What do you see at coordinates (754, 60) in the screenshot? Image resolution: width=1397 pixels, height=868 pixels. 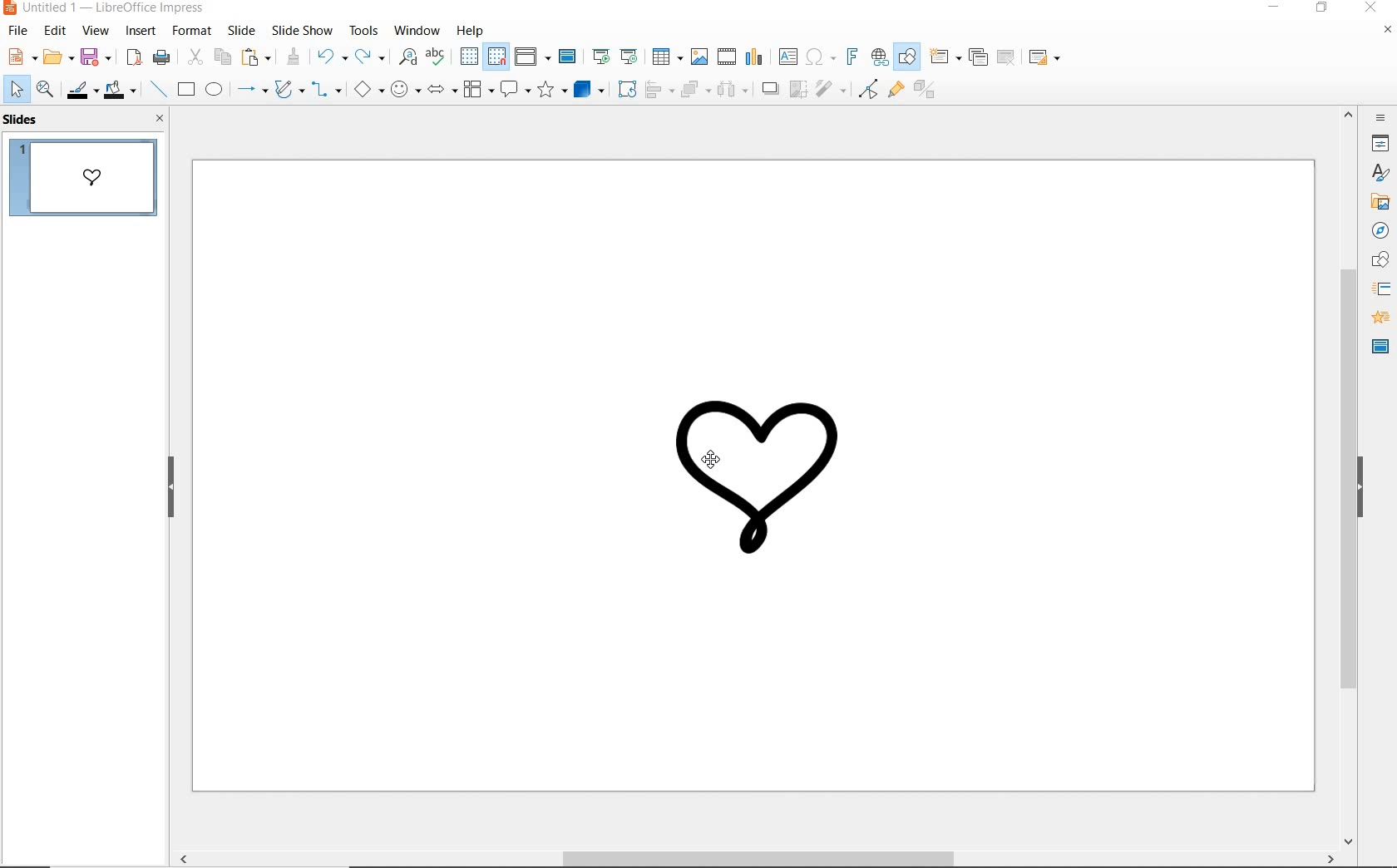 I see `insert chart` at bounding box center [754, 60].